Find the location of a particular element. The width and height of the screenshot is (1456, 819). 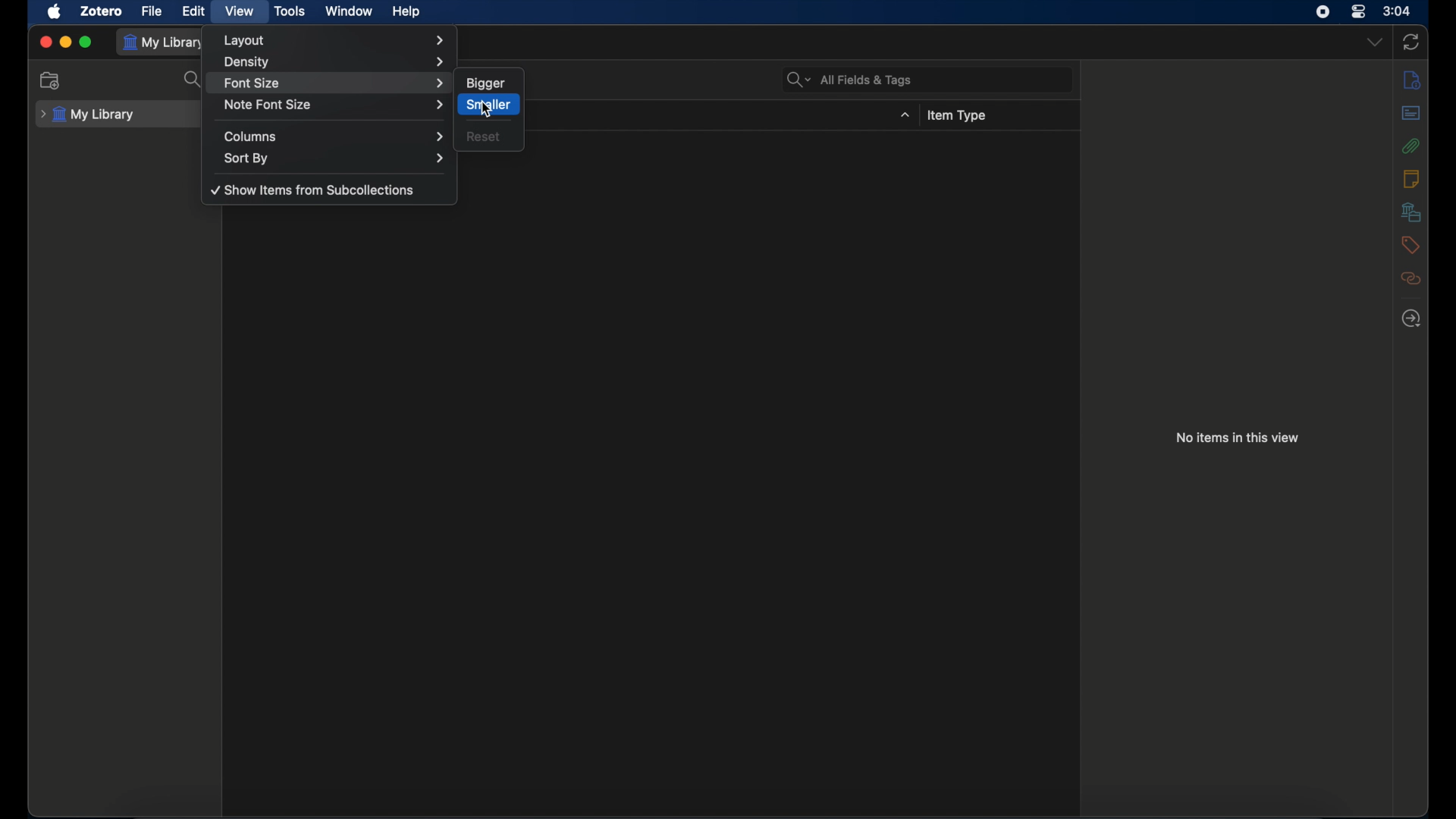

font size is located at coordinates (334, 83).